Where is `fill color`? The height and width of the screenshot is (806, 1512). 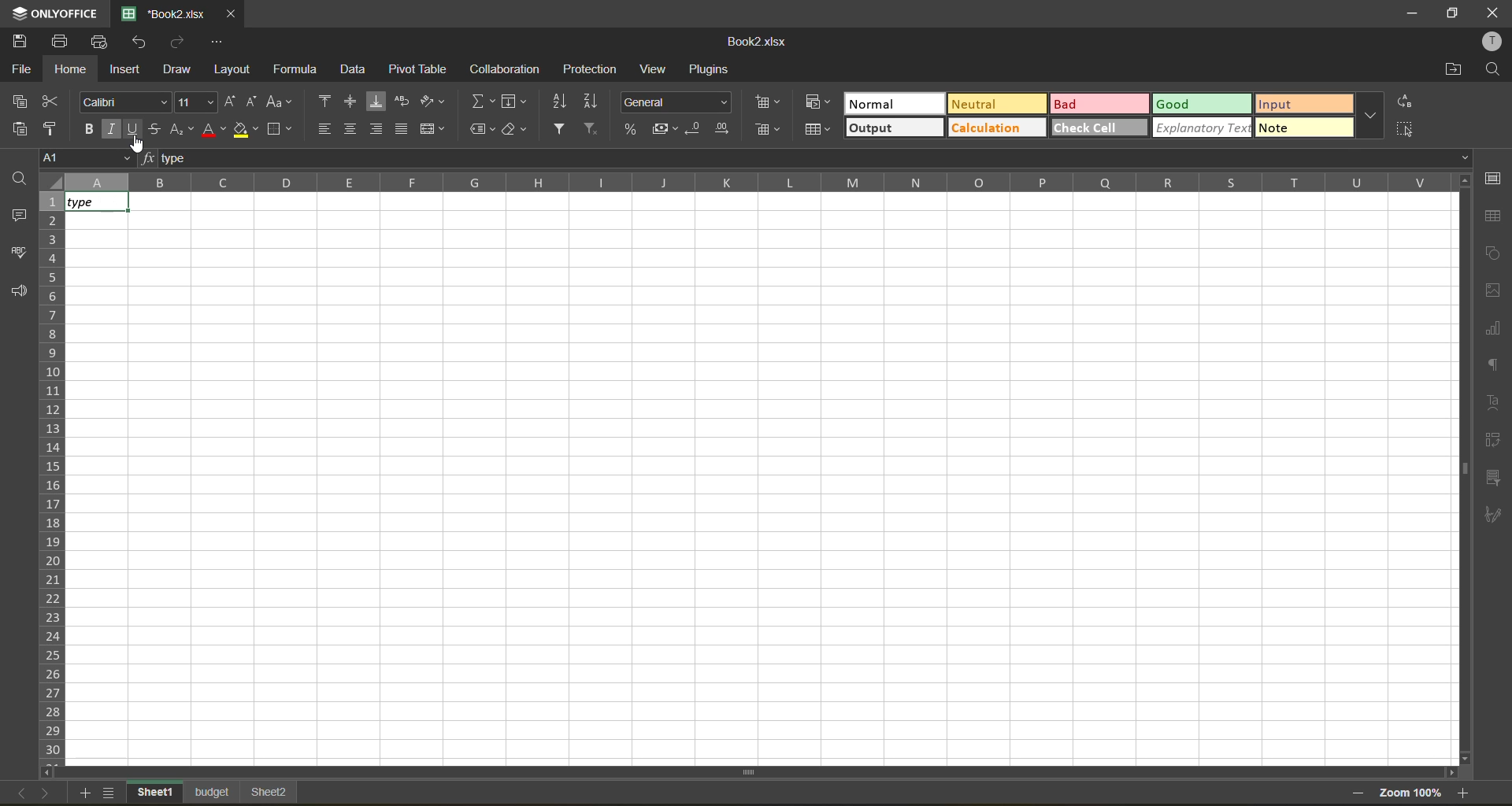 fill color is located at coordinates (245, 131).